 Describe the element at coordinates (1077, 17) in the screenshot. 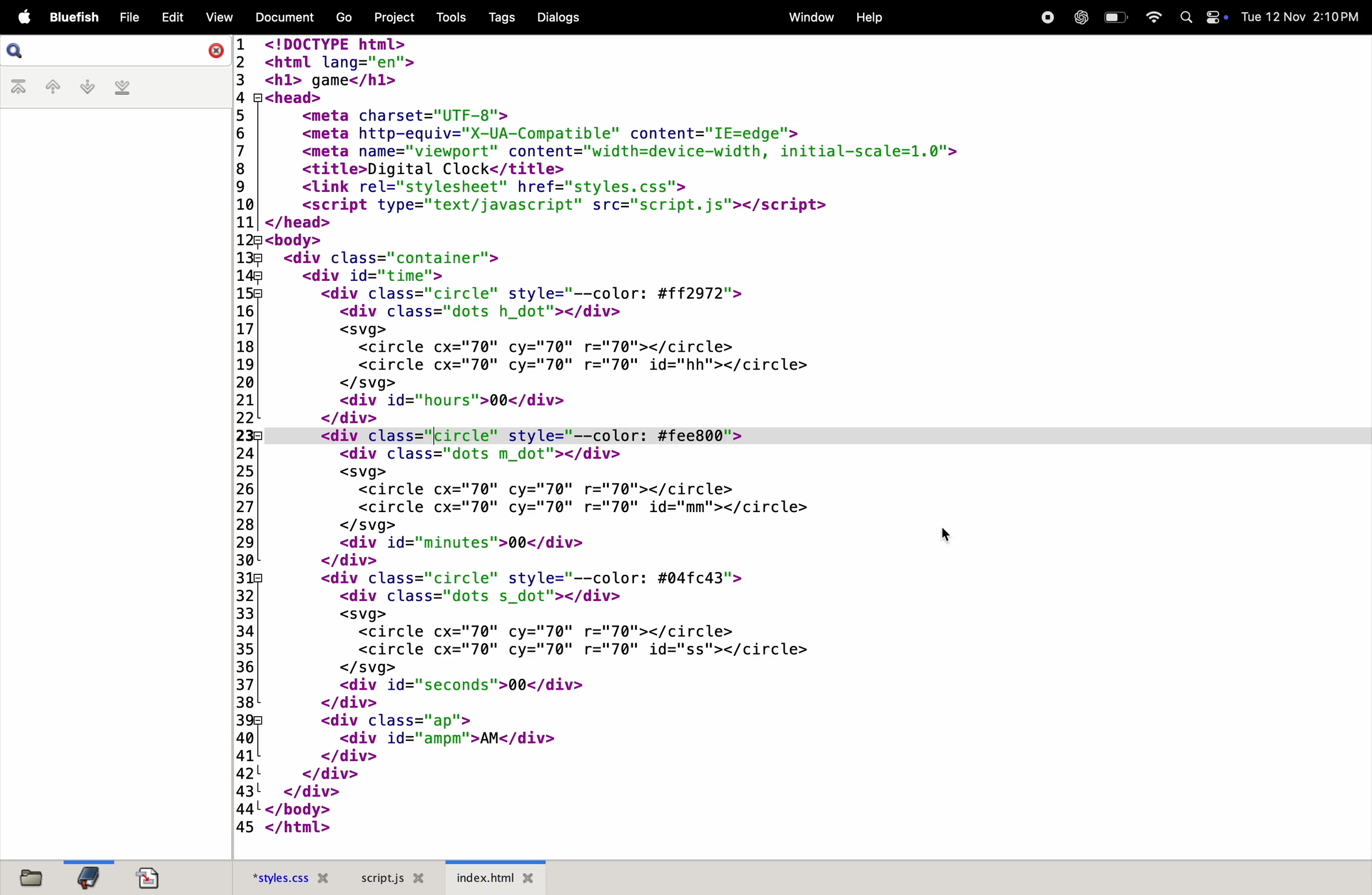

I see `chatgpt` at that location.